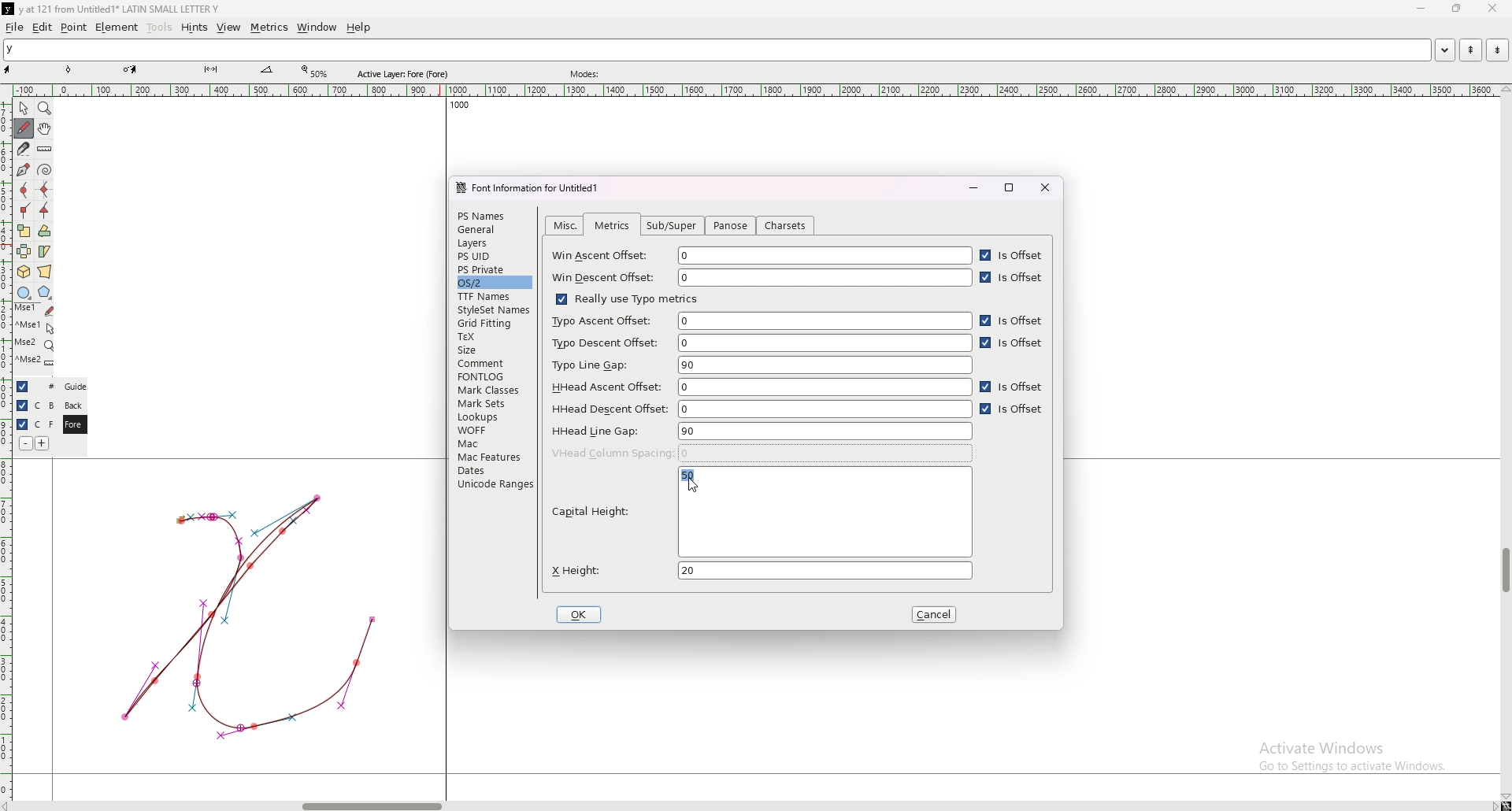  I want to click on add a tangent point, so click(45, 211).